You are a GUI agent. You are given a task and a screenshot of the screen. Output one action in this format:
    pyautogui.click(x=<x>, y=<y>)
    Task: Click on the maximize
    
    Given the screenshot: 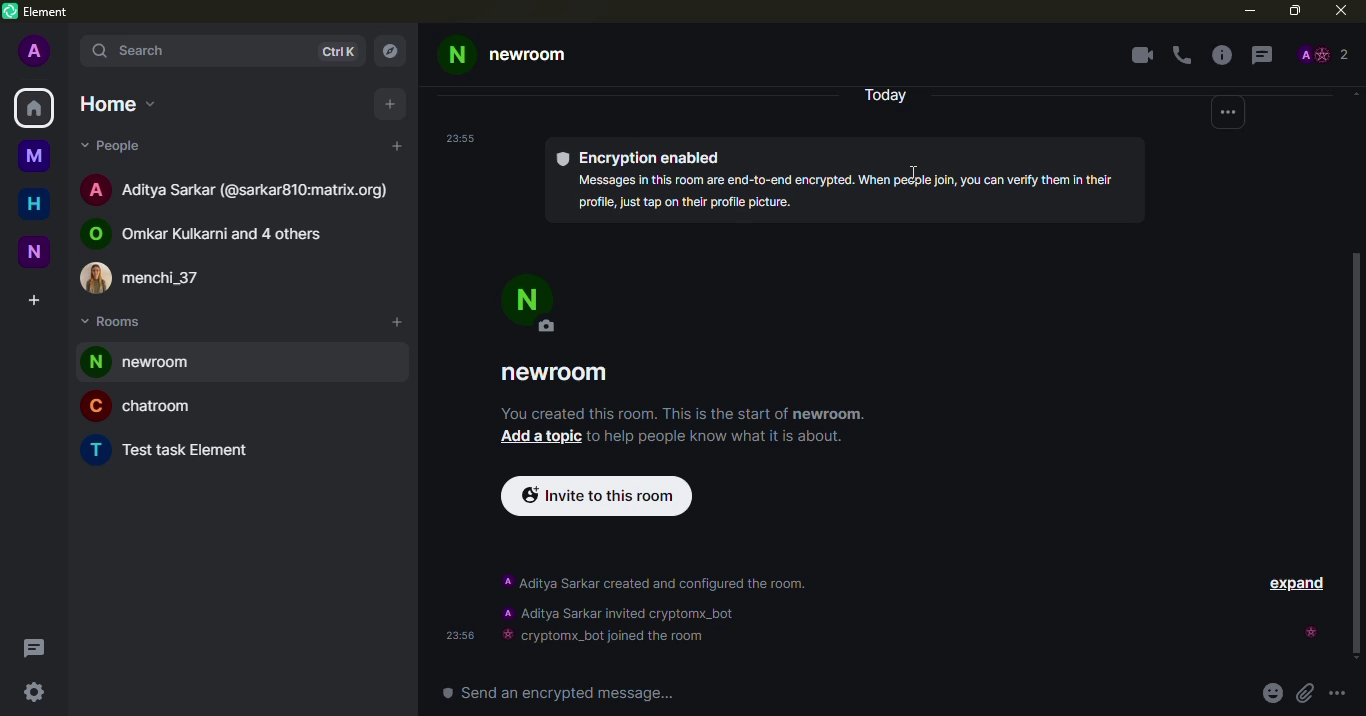 What is the action you would take?
    pyautogui.click(x=1291, y=13)
    